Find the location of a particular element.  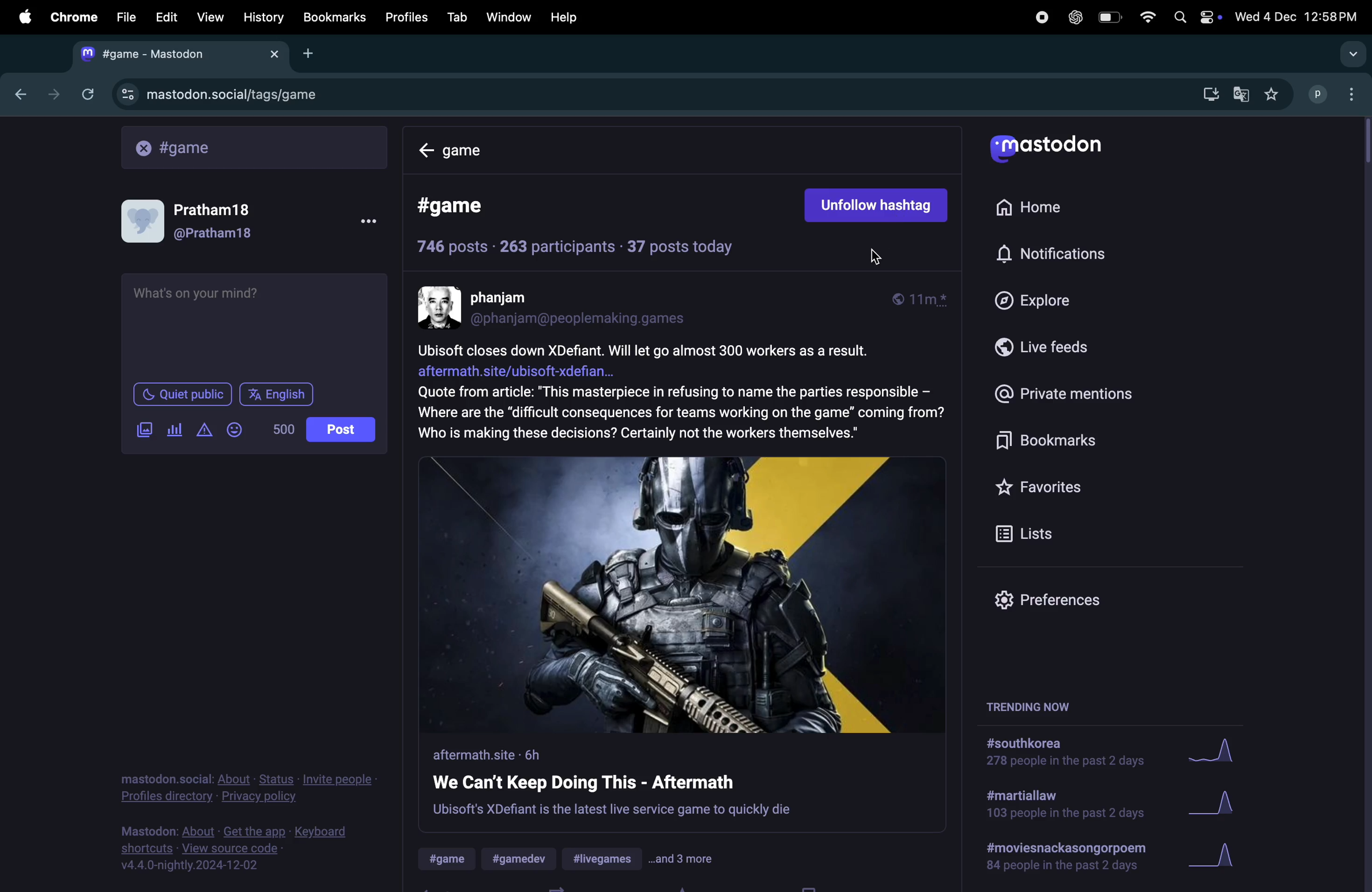

next tab is located at coordinates (54, 92).